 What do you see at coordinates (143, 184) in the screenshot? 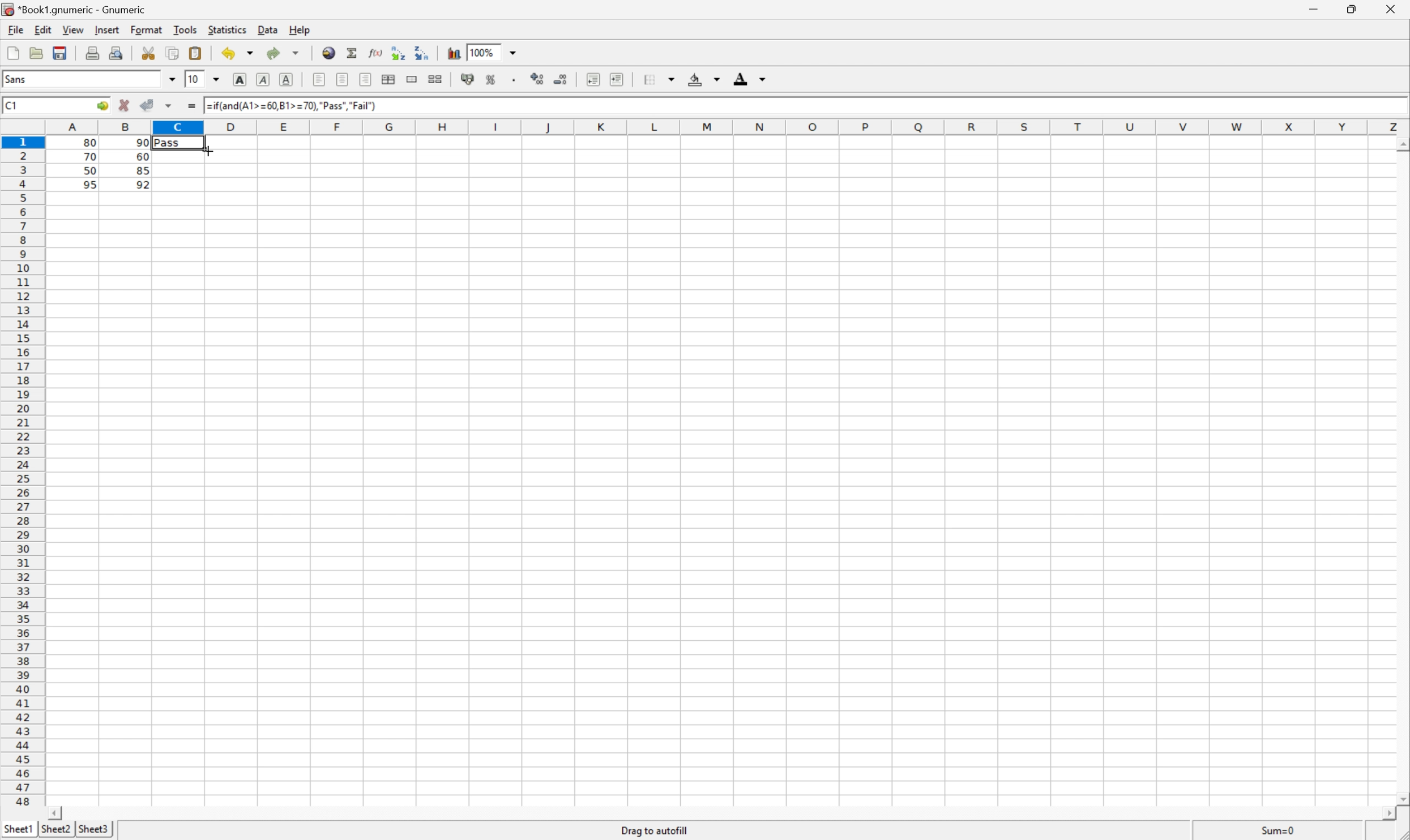
I see `92` at bounding box center [143, 184].